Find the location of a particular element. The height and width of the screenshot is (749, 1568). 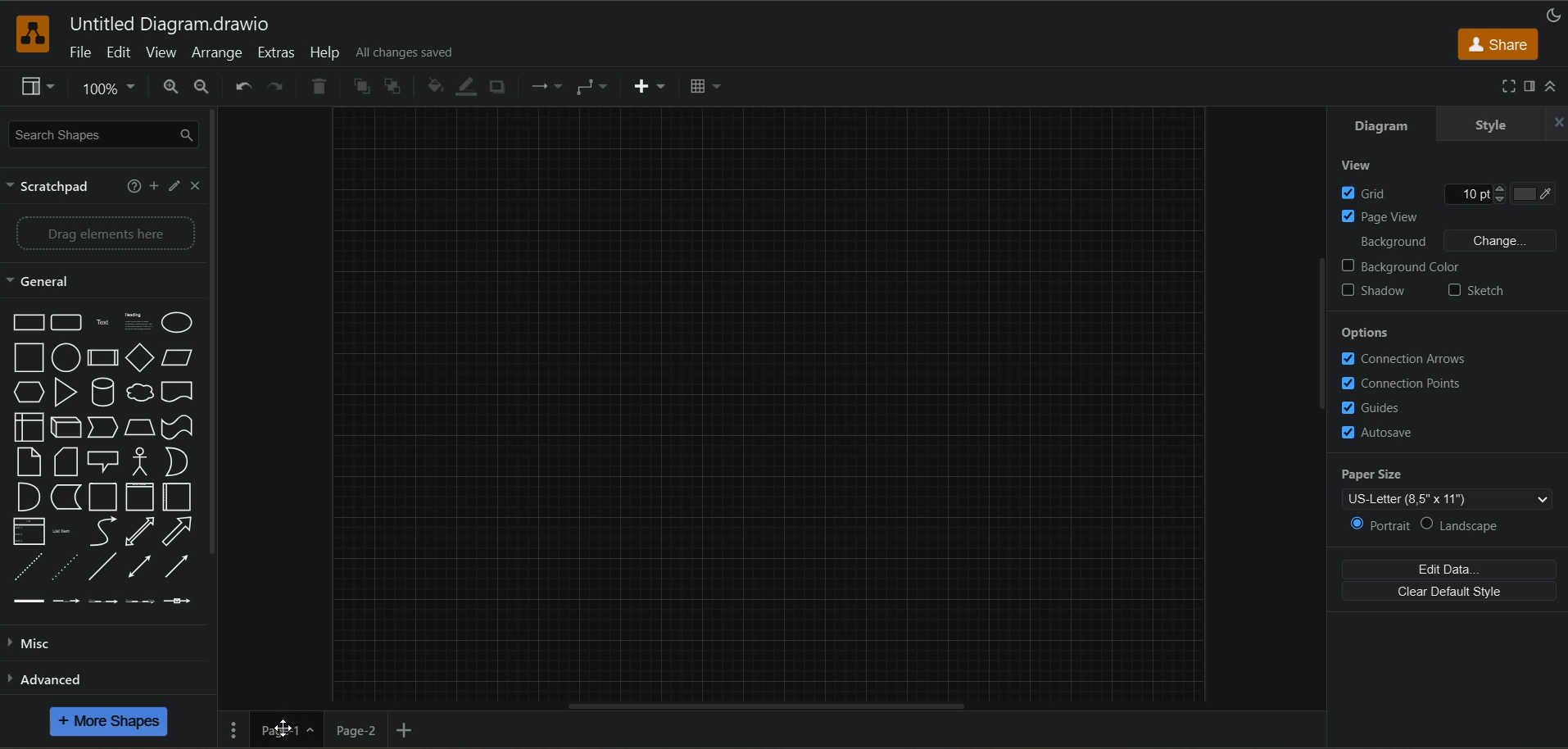

edit data is located at coordinates (1452, 570).